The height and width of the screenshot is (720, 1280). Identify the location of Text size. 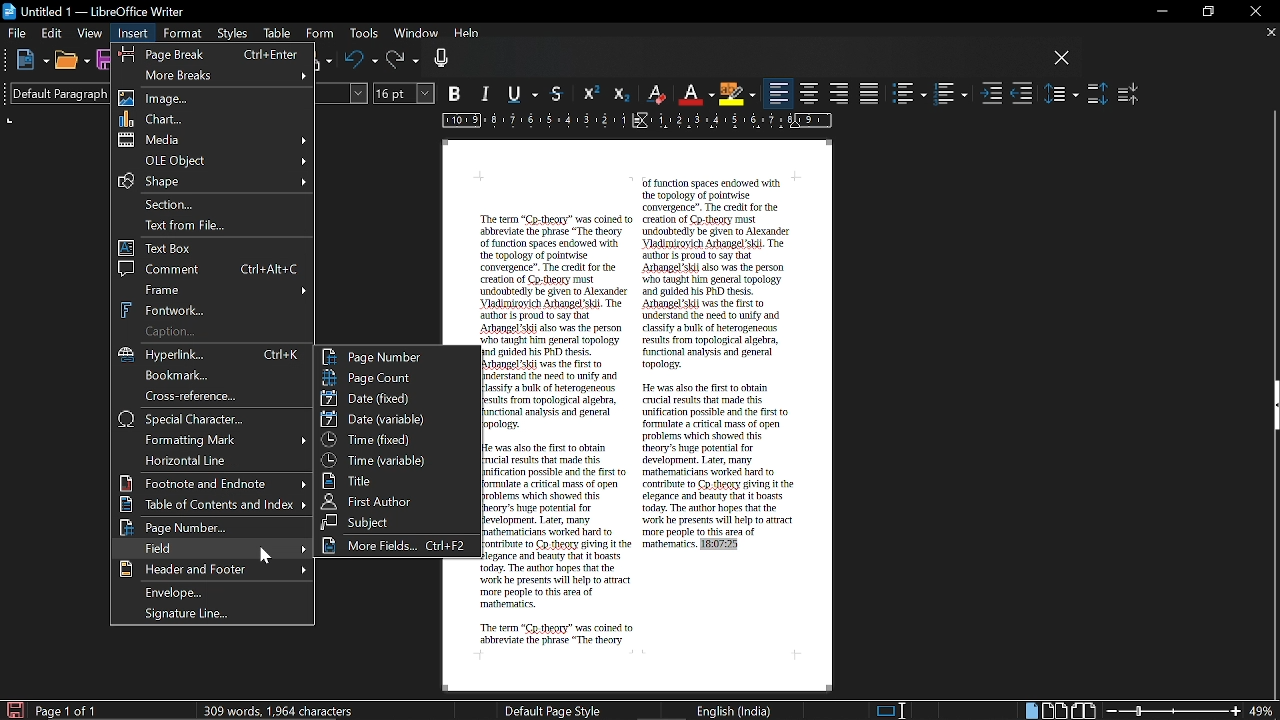
(405, 93).